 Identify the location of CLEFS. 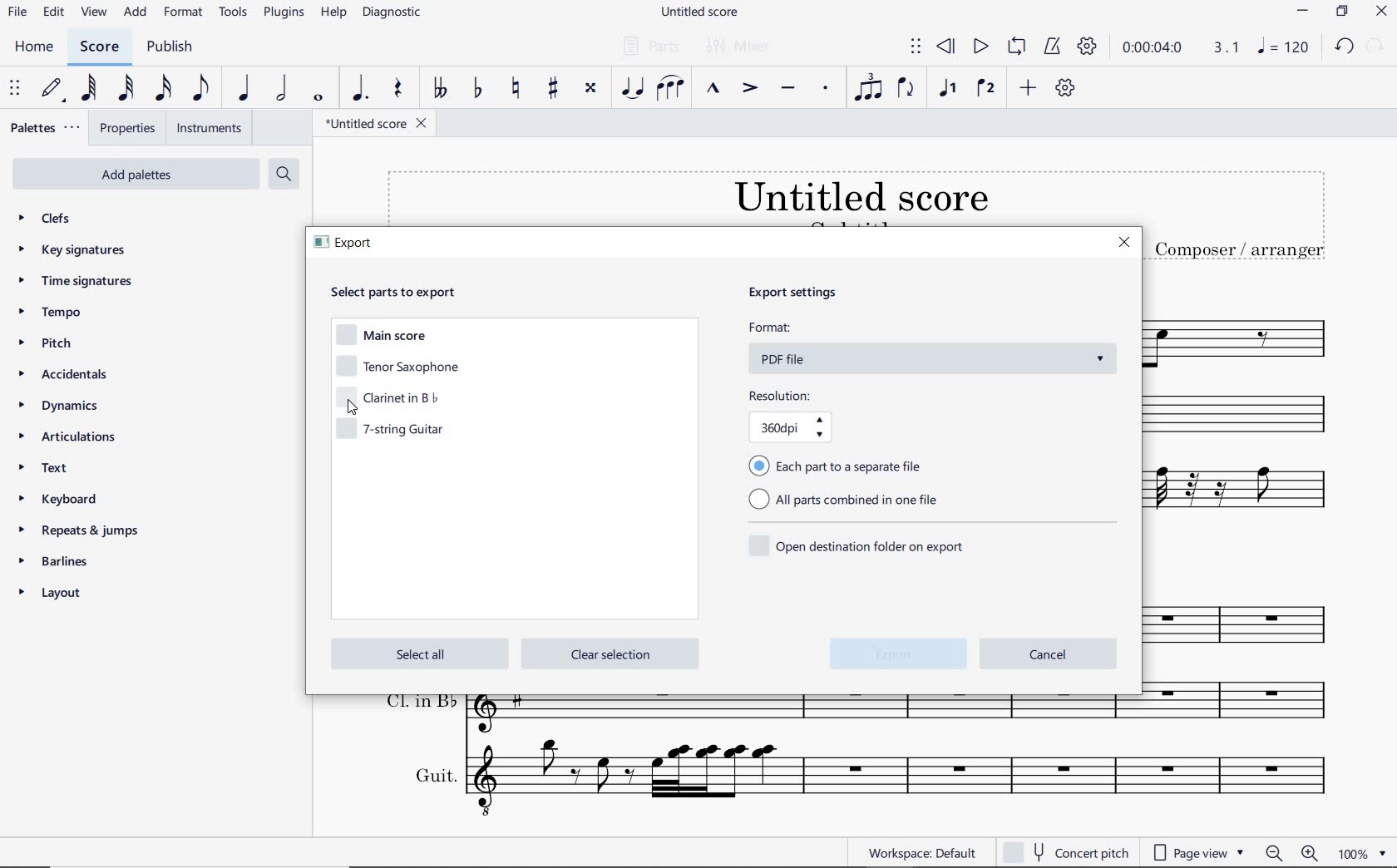
(47, 218).